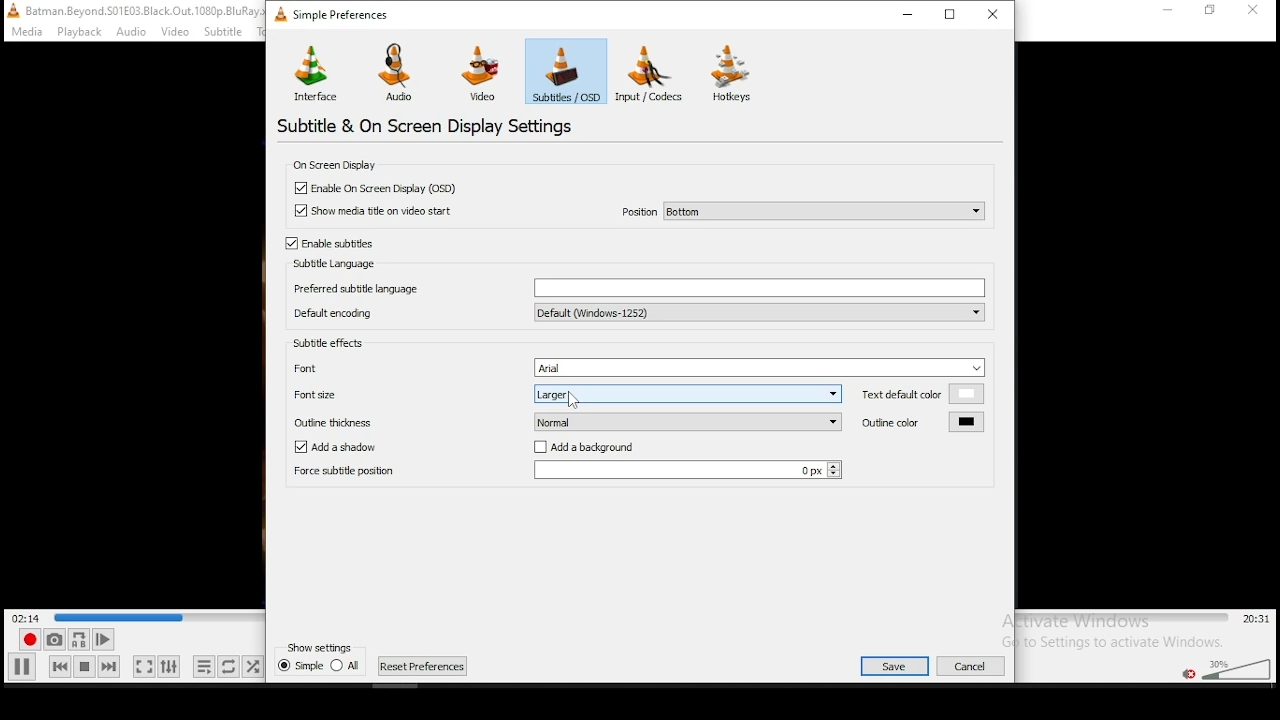 Image resolution: width=1280 pixels, height=720 pixels. Describe the element at coordinates (119, 614) in the screenshot. I see `` at that location.